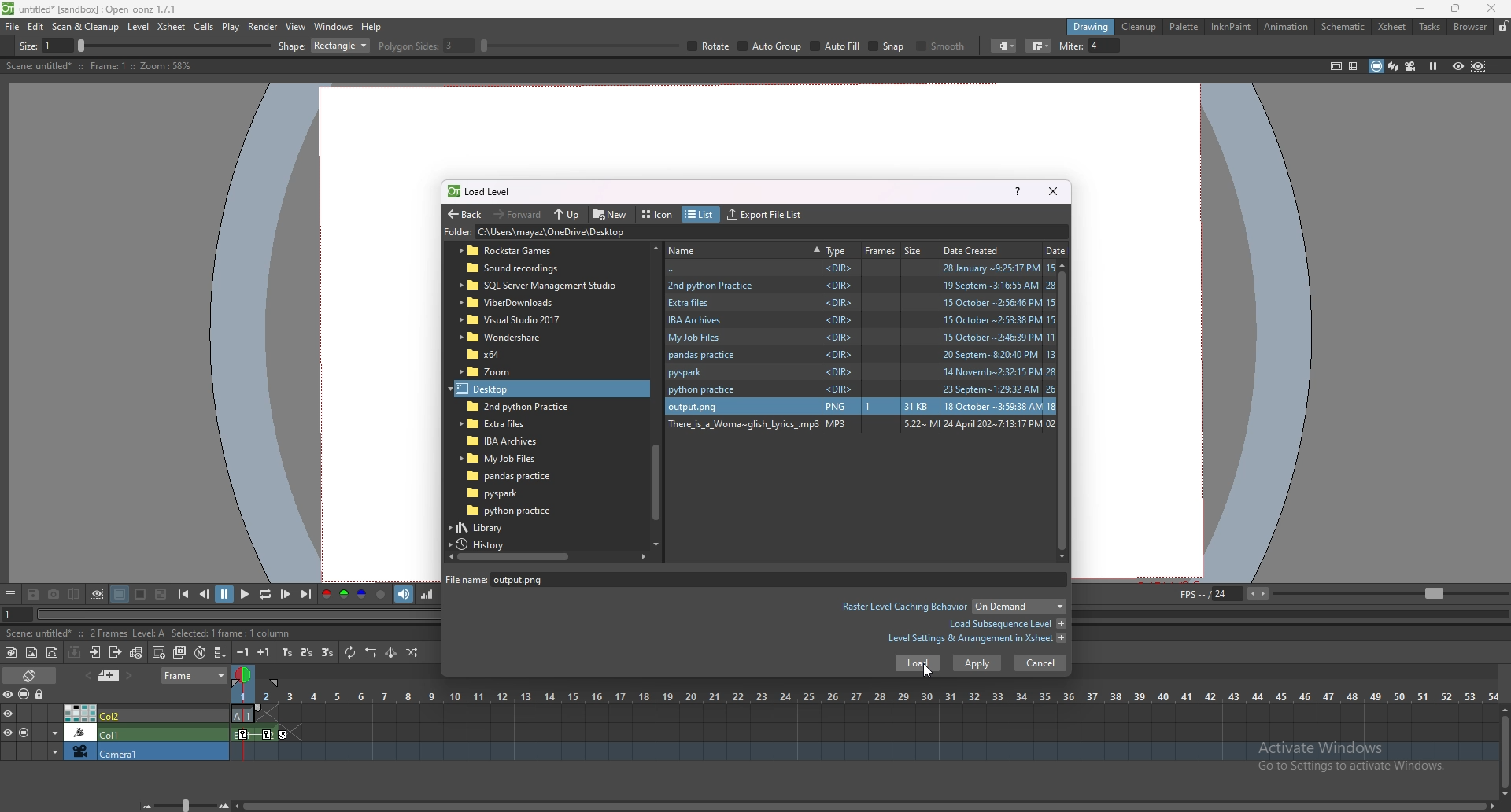  I want to click on field guide, so click(1354, 66).